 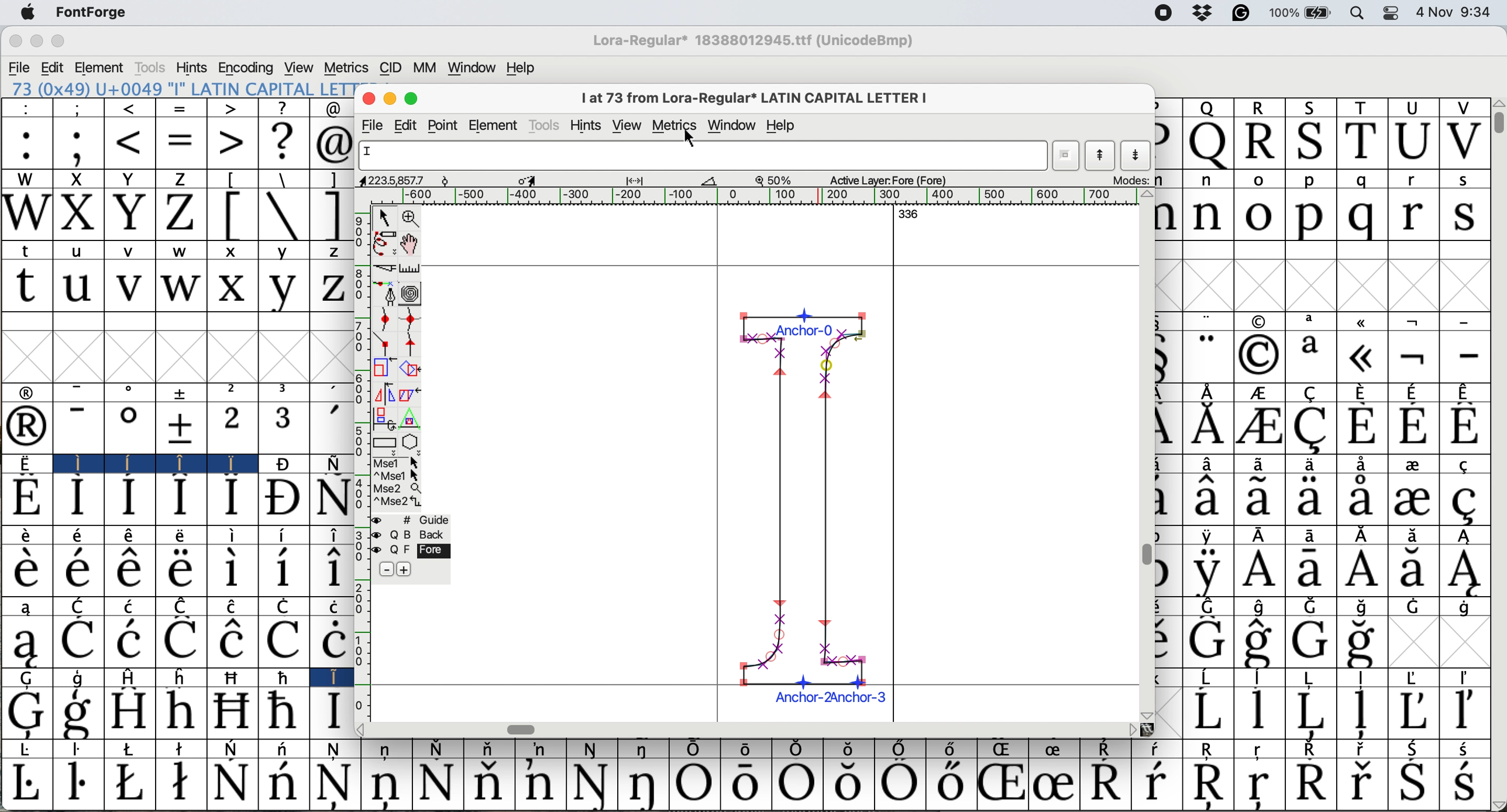 What do you see at coordinates (1468, 677) in the screenshot?
I see `Symbol` at bounding box center [1468, 677].